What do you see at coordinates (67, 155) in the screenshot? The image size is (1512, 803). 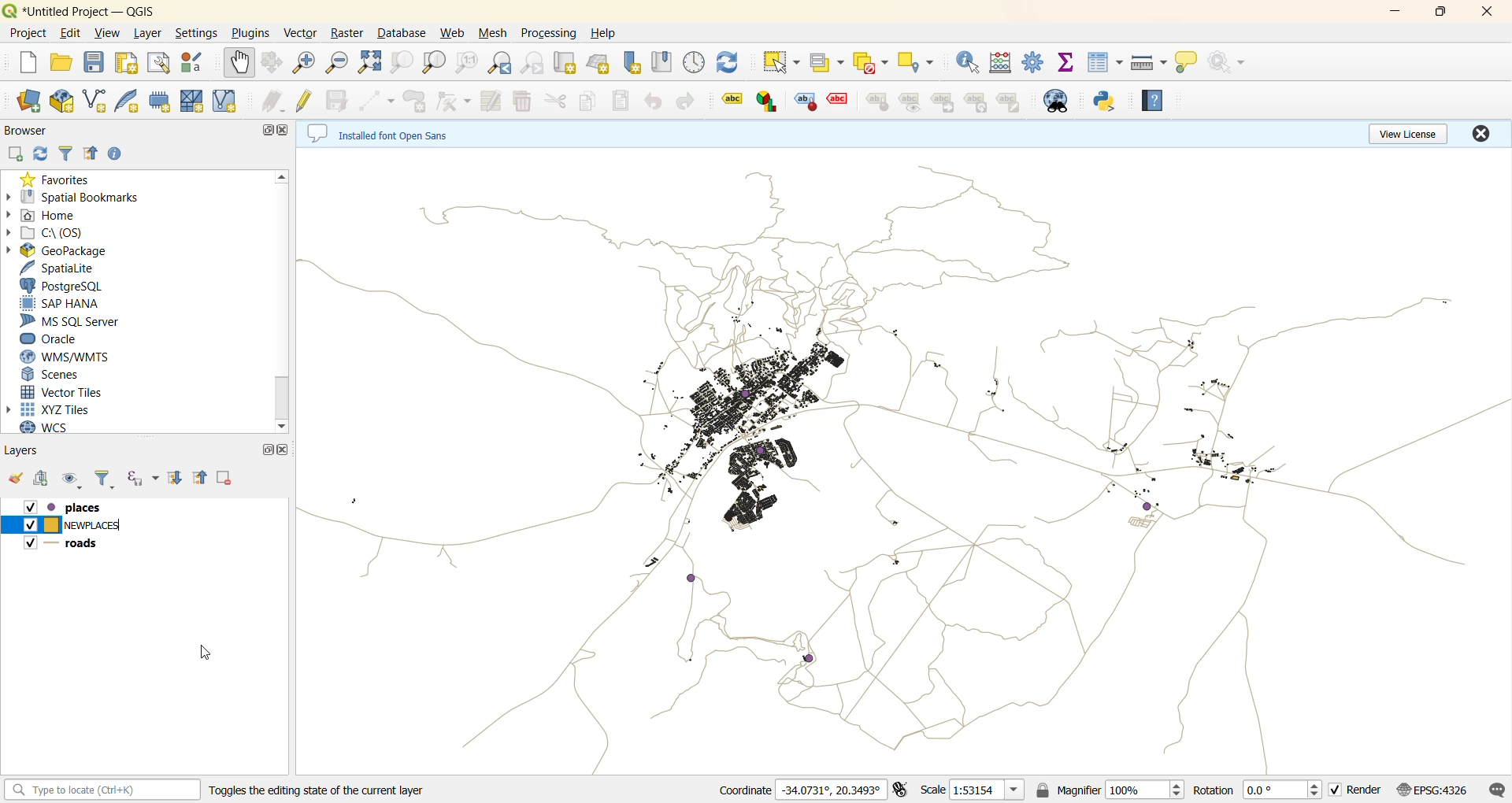 I see `filter` at bounding box center [67, 155].